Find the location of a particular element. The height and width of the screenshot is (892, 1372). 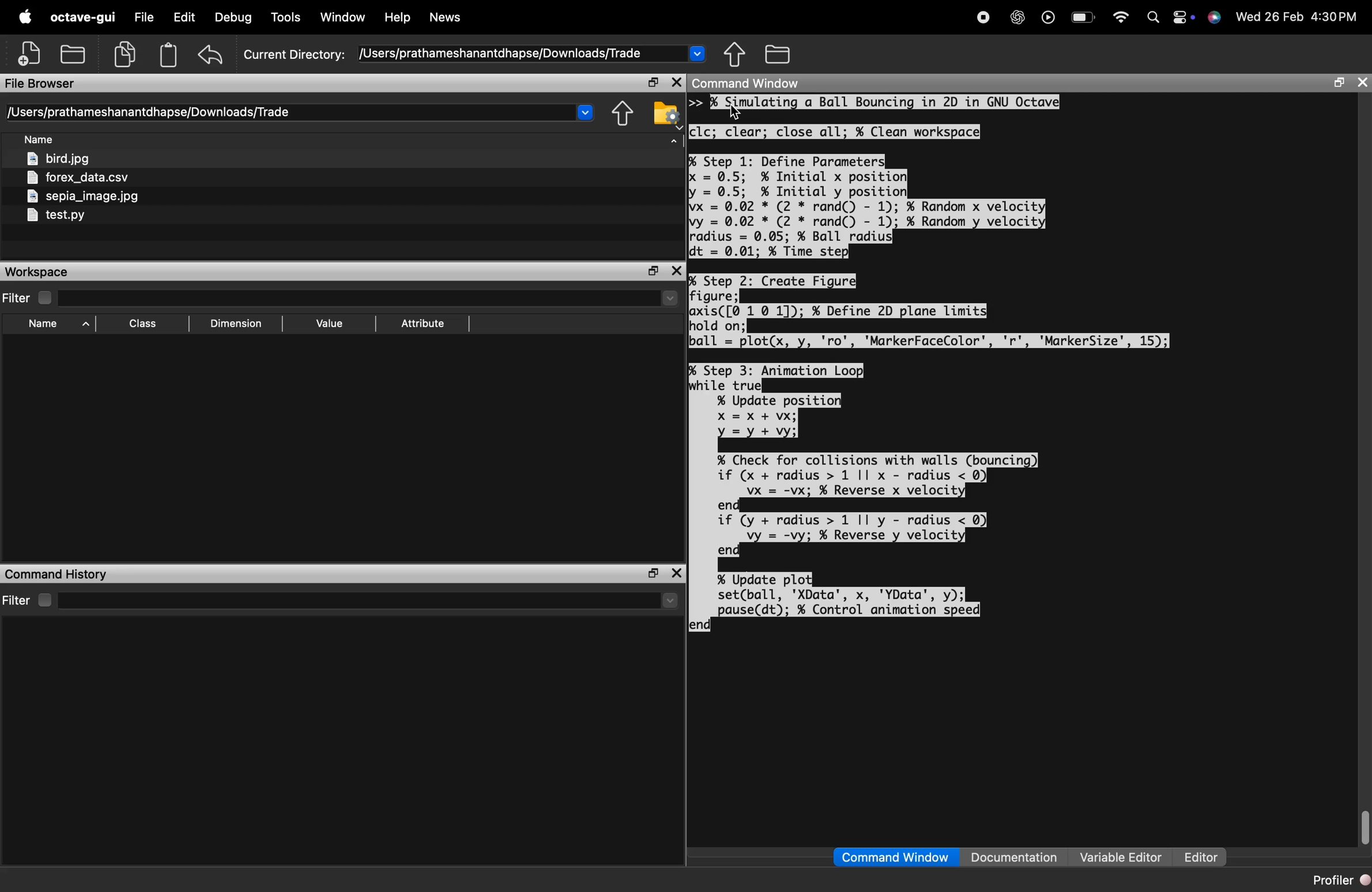

play is located at coordinates (1048, 18).